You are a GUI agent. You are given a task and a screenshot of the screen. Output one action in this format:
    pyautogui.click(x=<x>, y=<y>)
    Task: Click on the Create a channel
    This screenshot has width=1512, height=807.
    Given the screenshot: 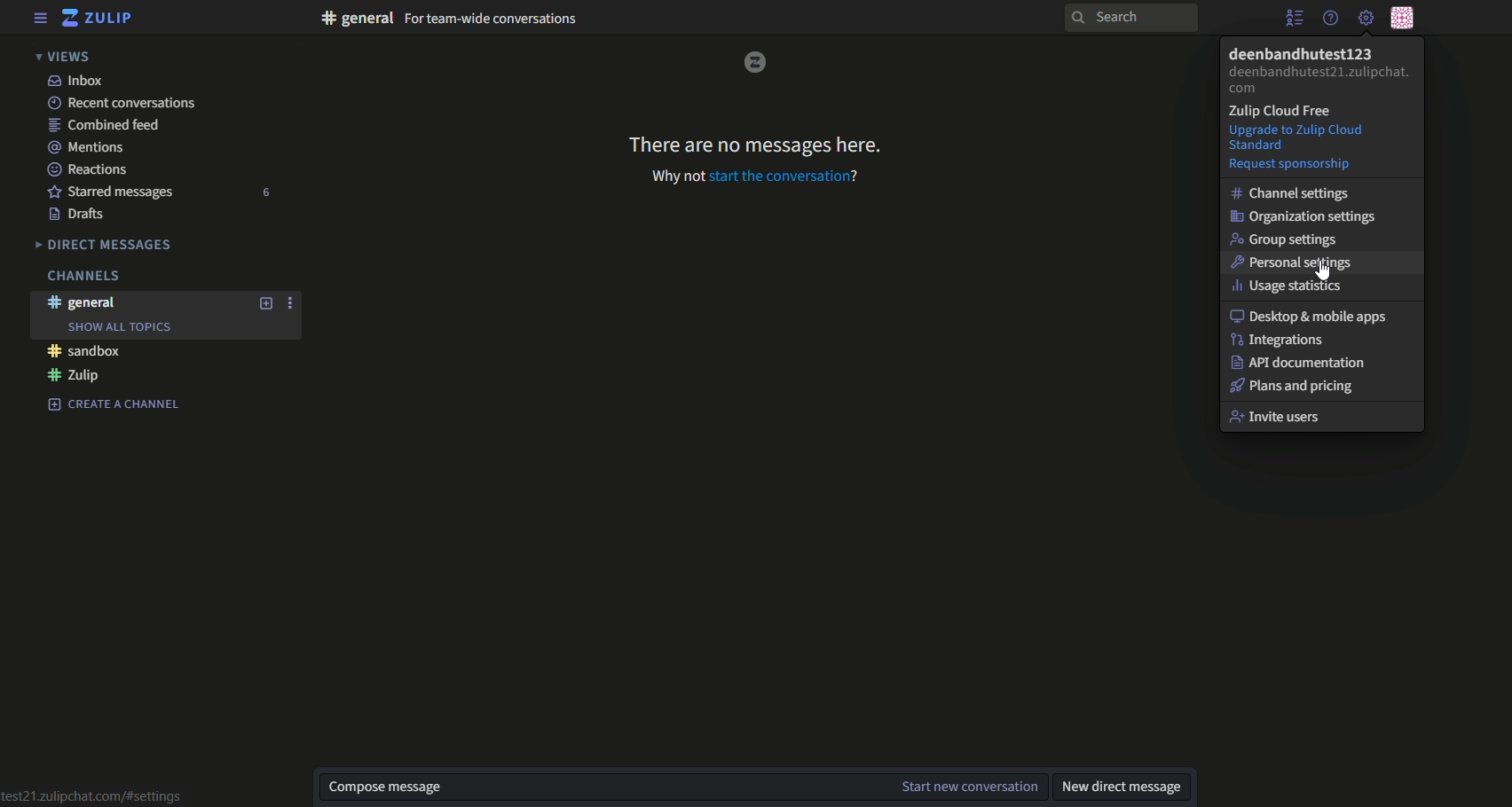 What is the action you would take?
    pyautogui.click(x=114, y=403)
    